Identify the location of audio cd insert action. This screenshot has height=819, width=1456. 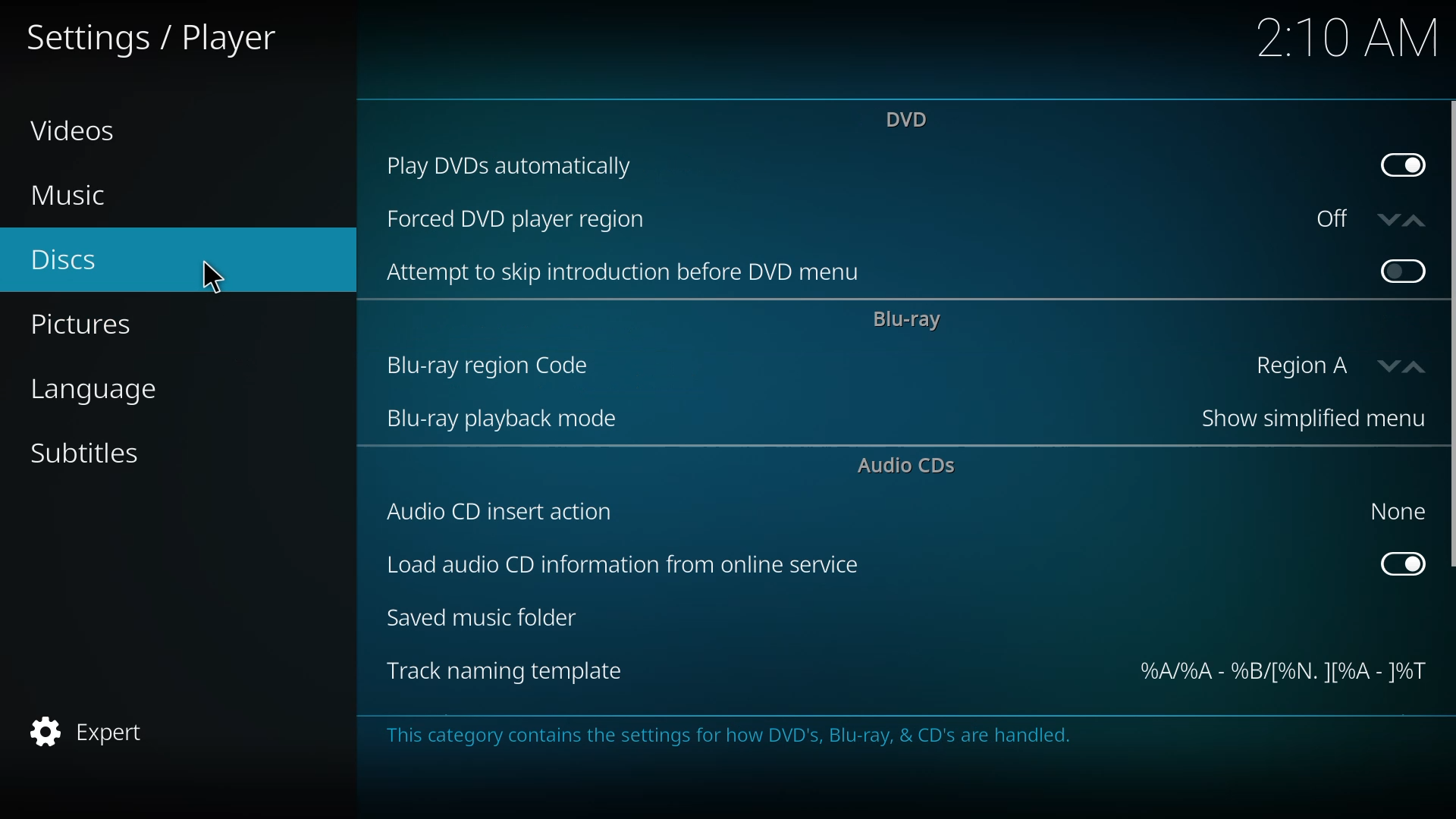
(500, 510).